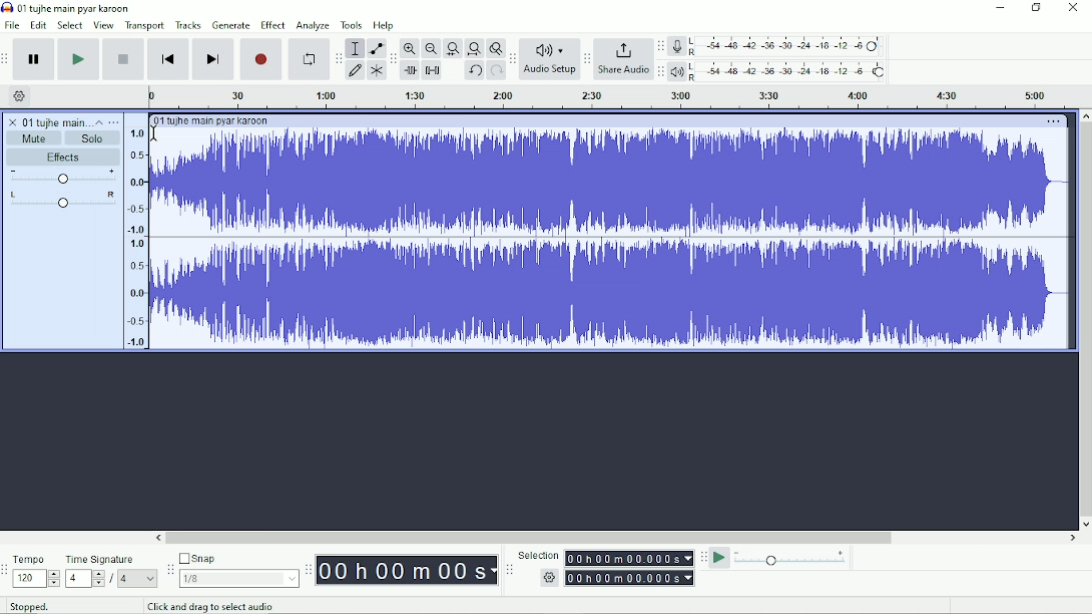  What do you see at coordinates (720, 558) in the screenshot?
I see `Play-at-speed` at bounding box center [720, 558].